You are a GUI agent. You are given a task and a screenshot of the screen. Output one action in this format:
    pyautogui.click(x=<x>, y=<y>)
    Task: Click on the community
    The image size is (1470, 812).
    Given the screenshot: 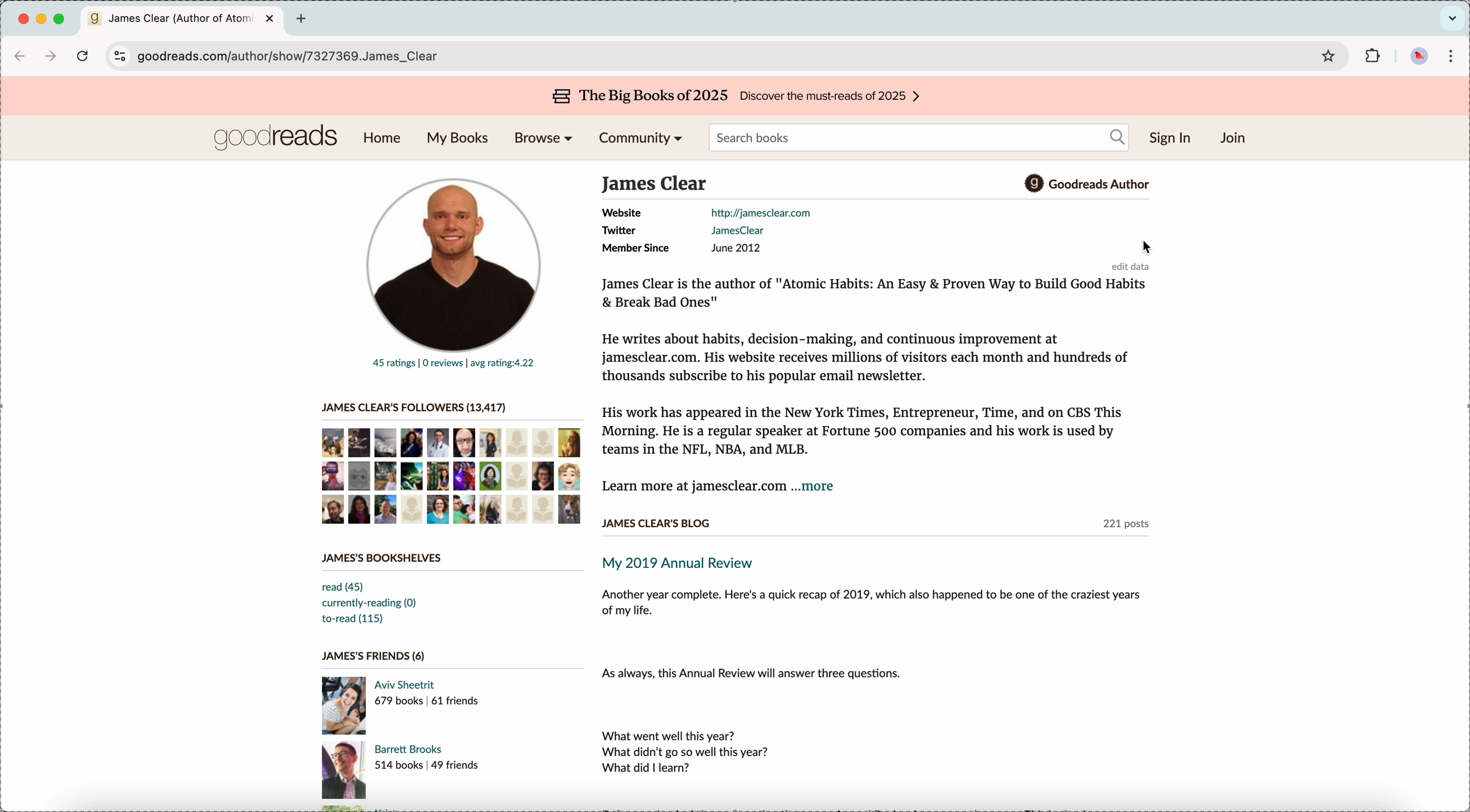 What is the action you would take?
    pyautogui.click(x=639, y=140)
    